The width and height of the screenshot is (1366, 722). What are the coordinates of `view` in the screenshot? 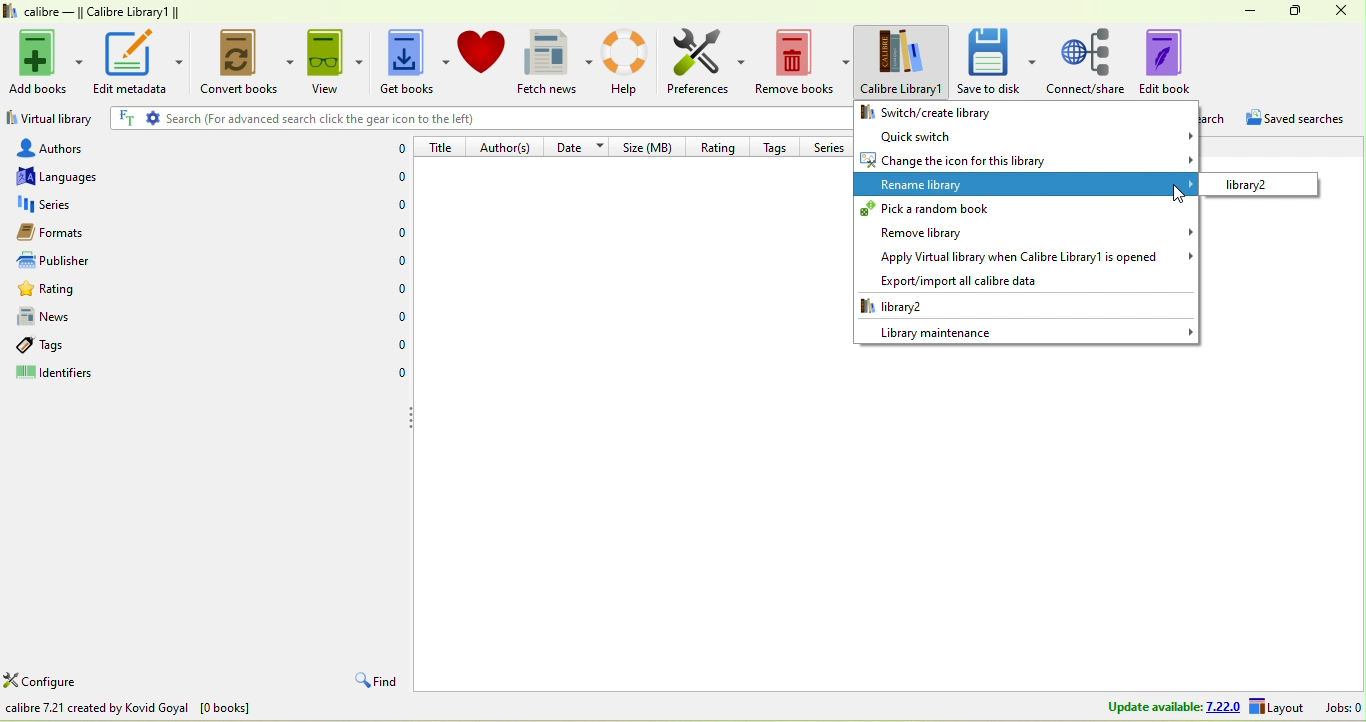 It's located at (333, 61).